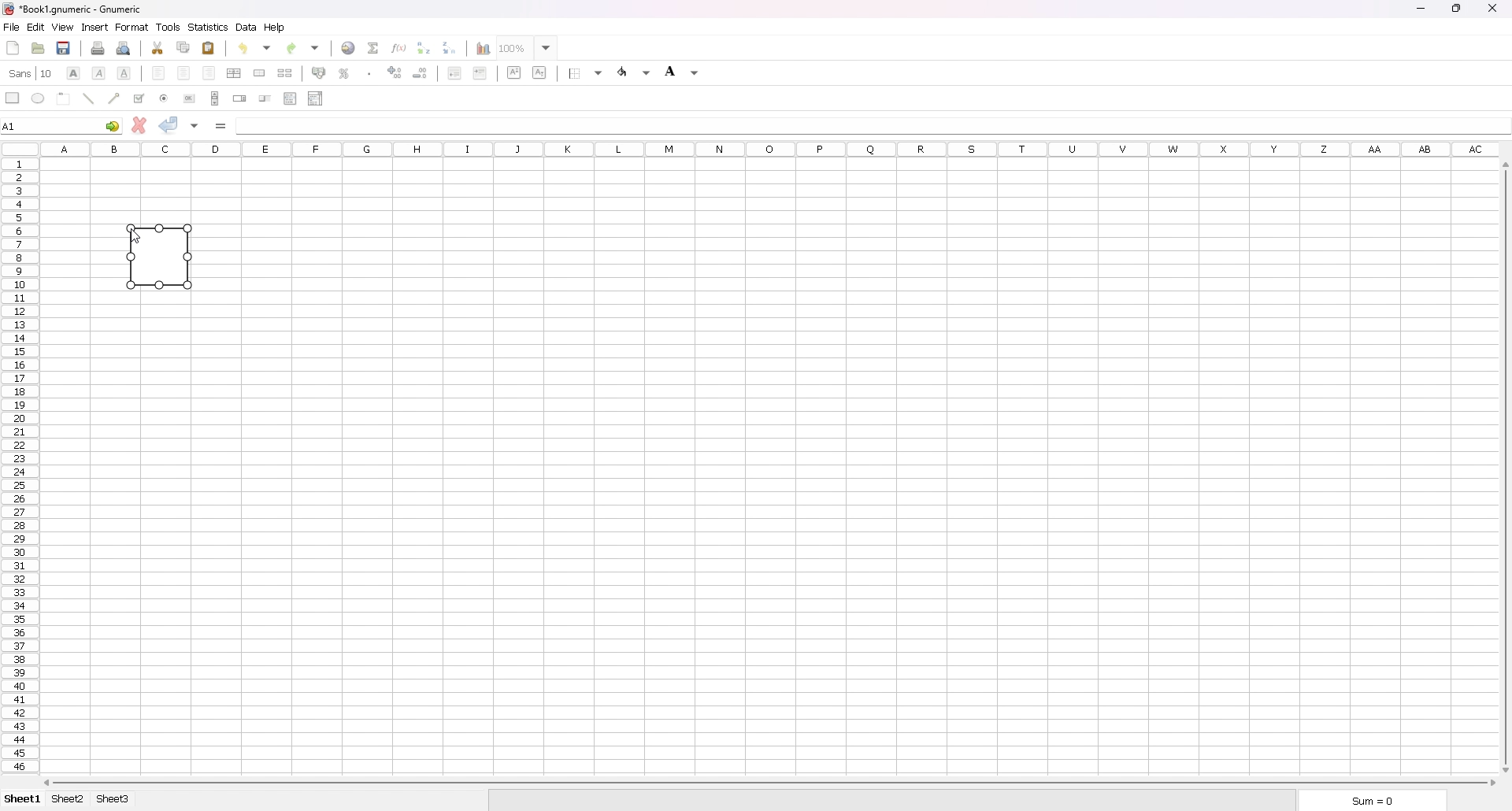  Describe the element at coordinates (169, 27) in the screenshot. I see `tools` at that location.